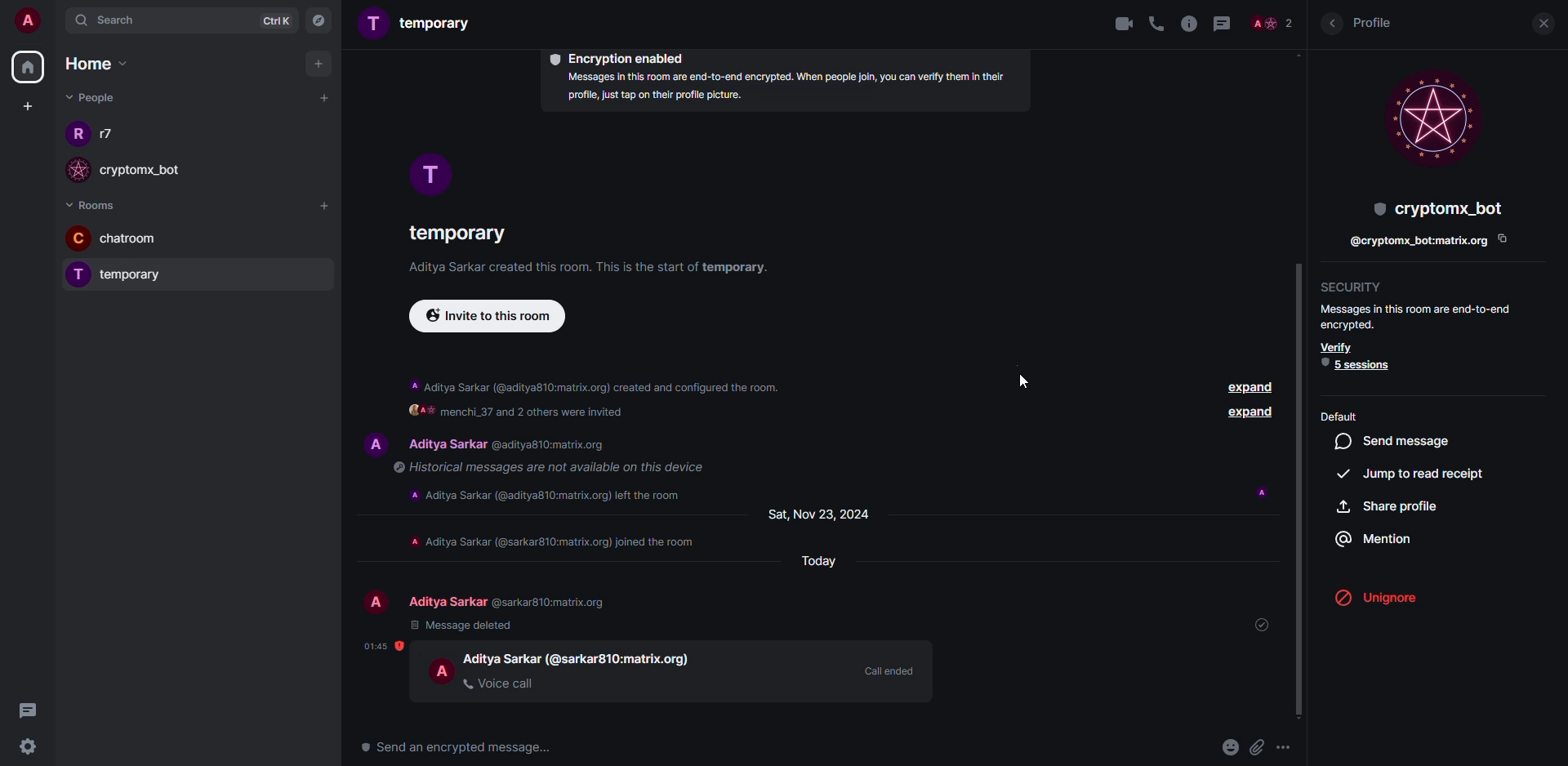 This screenshot has height=766, width=1568. I want to click on expand, so click(1531, 598).